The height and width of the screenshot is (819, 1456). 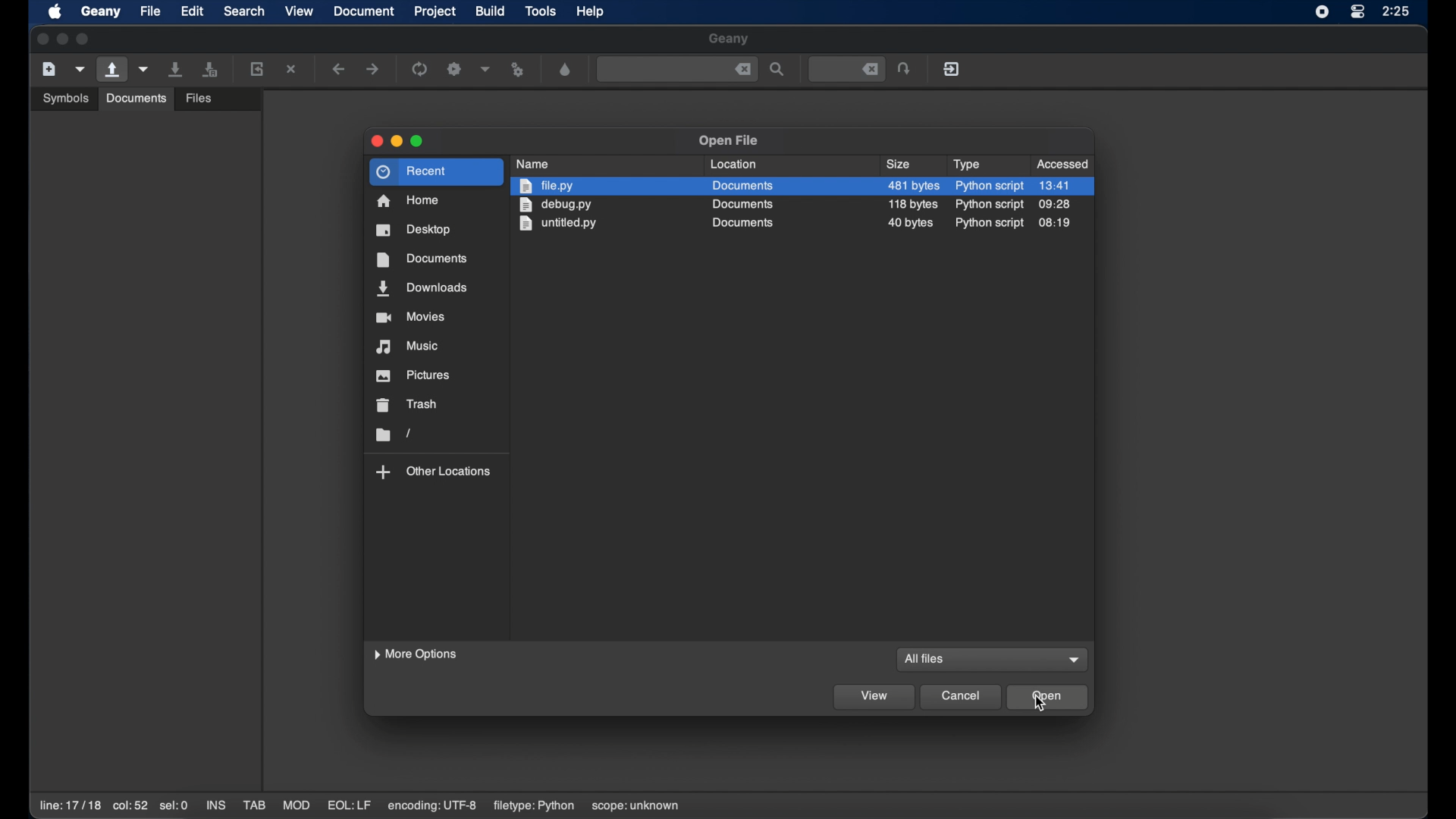 I want to click on movies, so click(x=411, y=318).